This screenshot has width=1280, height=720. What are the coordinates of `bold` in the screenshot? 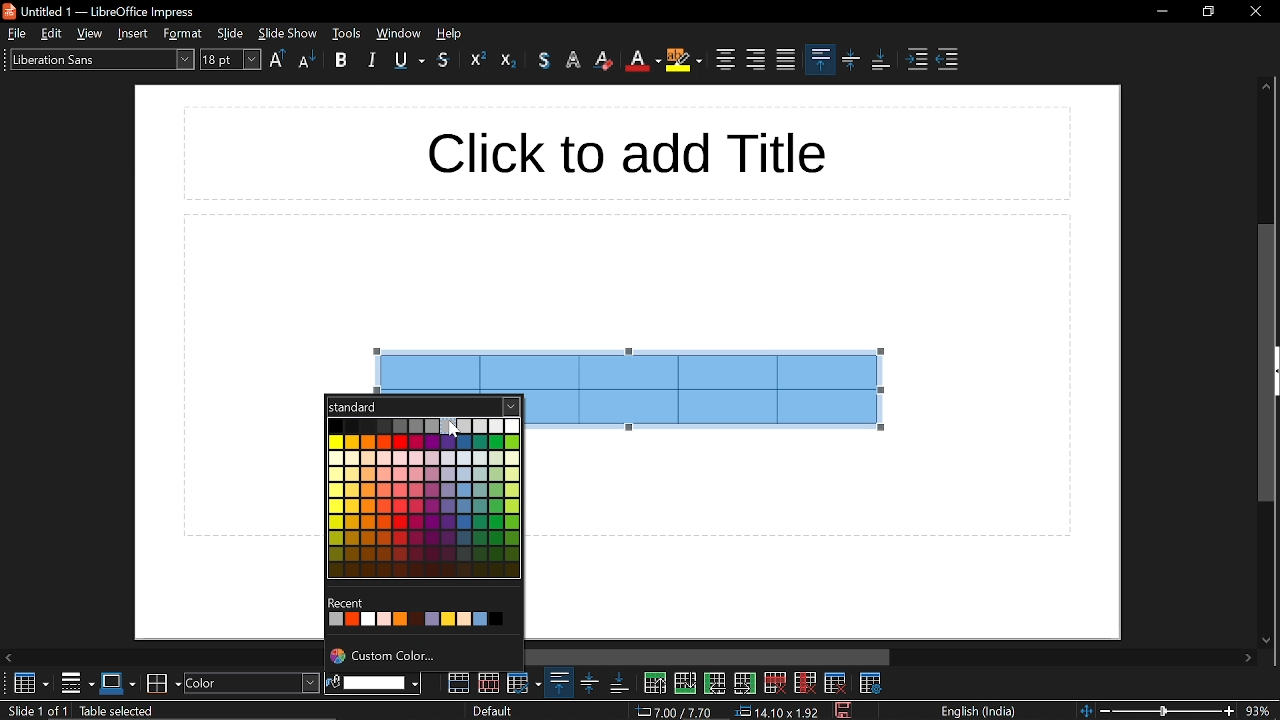 It's located at (341, 59).